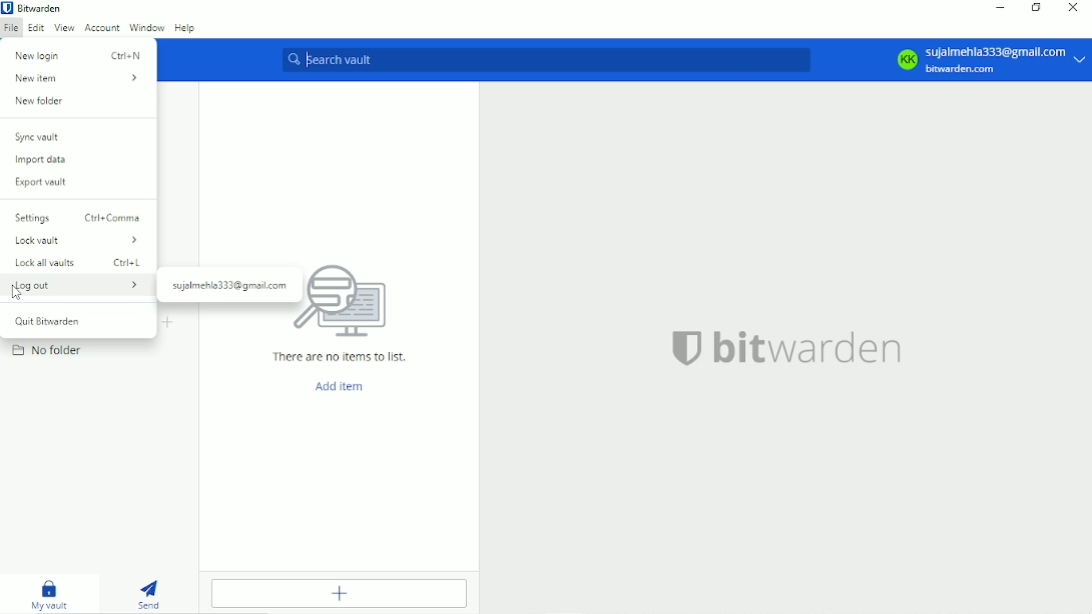  Describe the element at coordinates (64, 27) in the screenshot. I see `View` at that location.